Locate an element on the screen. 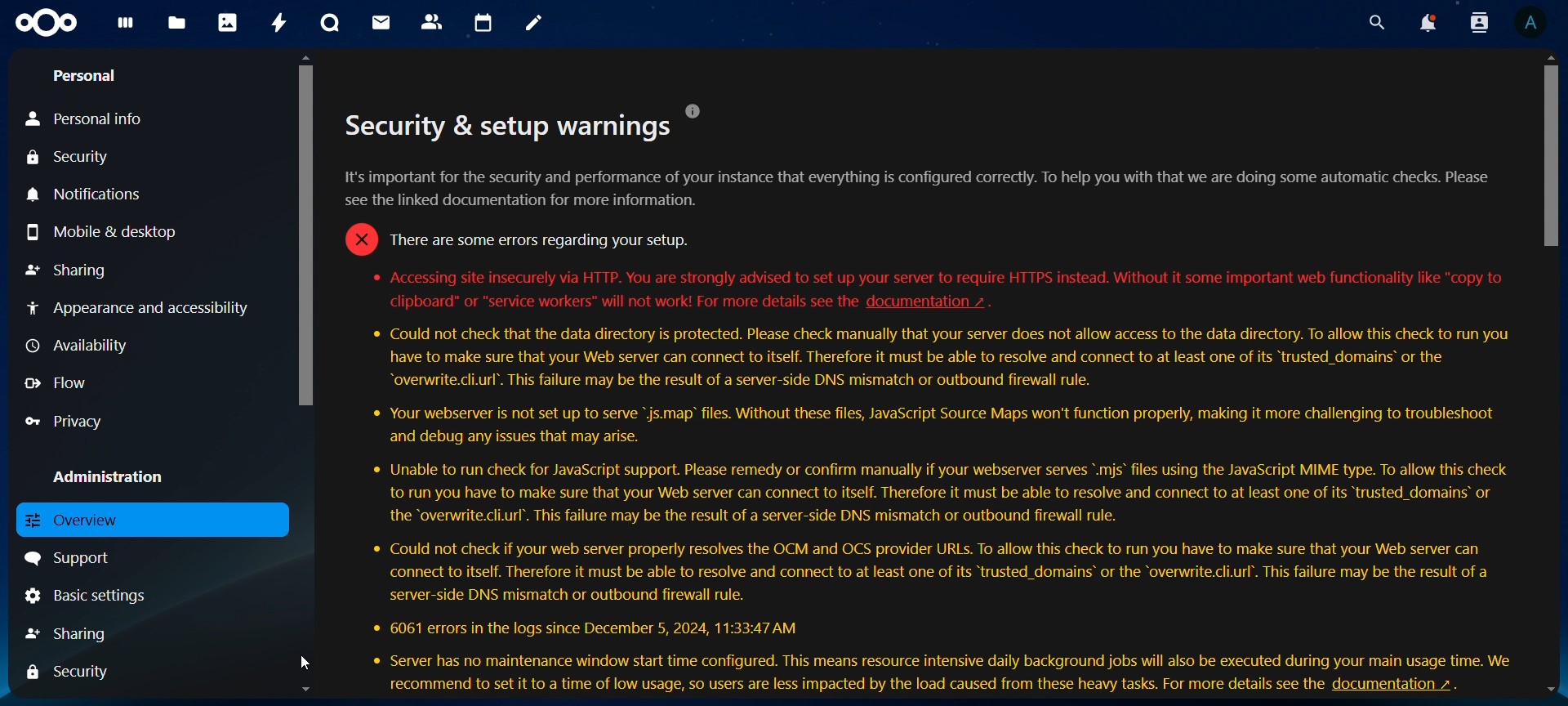 This screenshot has height=706, width=1568. overview is located at coordinates (82, 517).